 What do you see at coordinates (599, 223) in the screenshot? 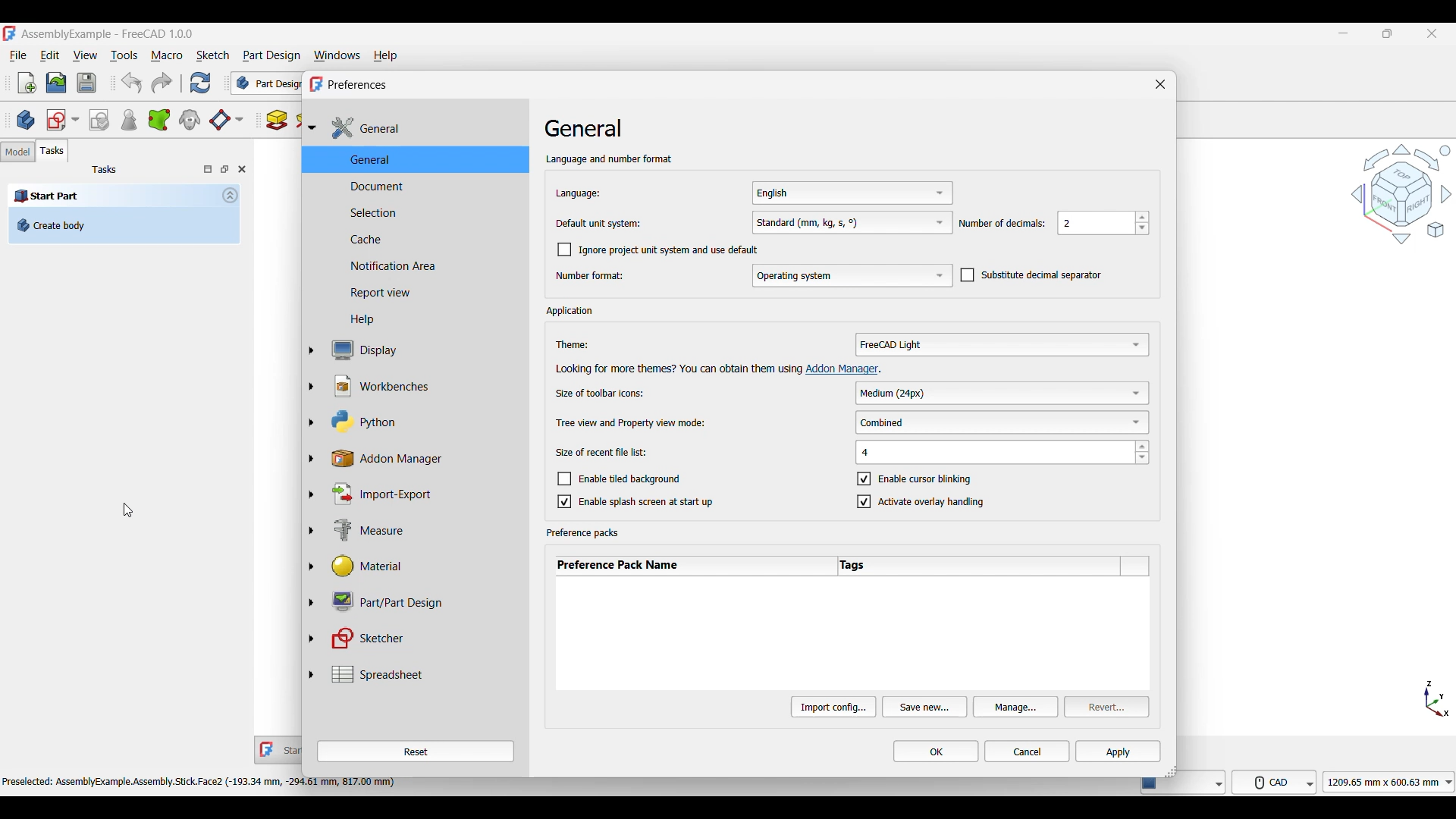
I see ` default unit system` at bounding box center [599, 223].